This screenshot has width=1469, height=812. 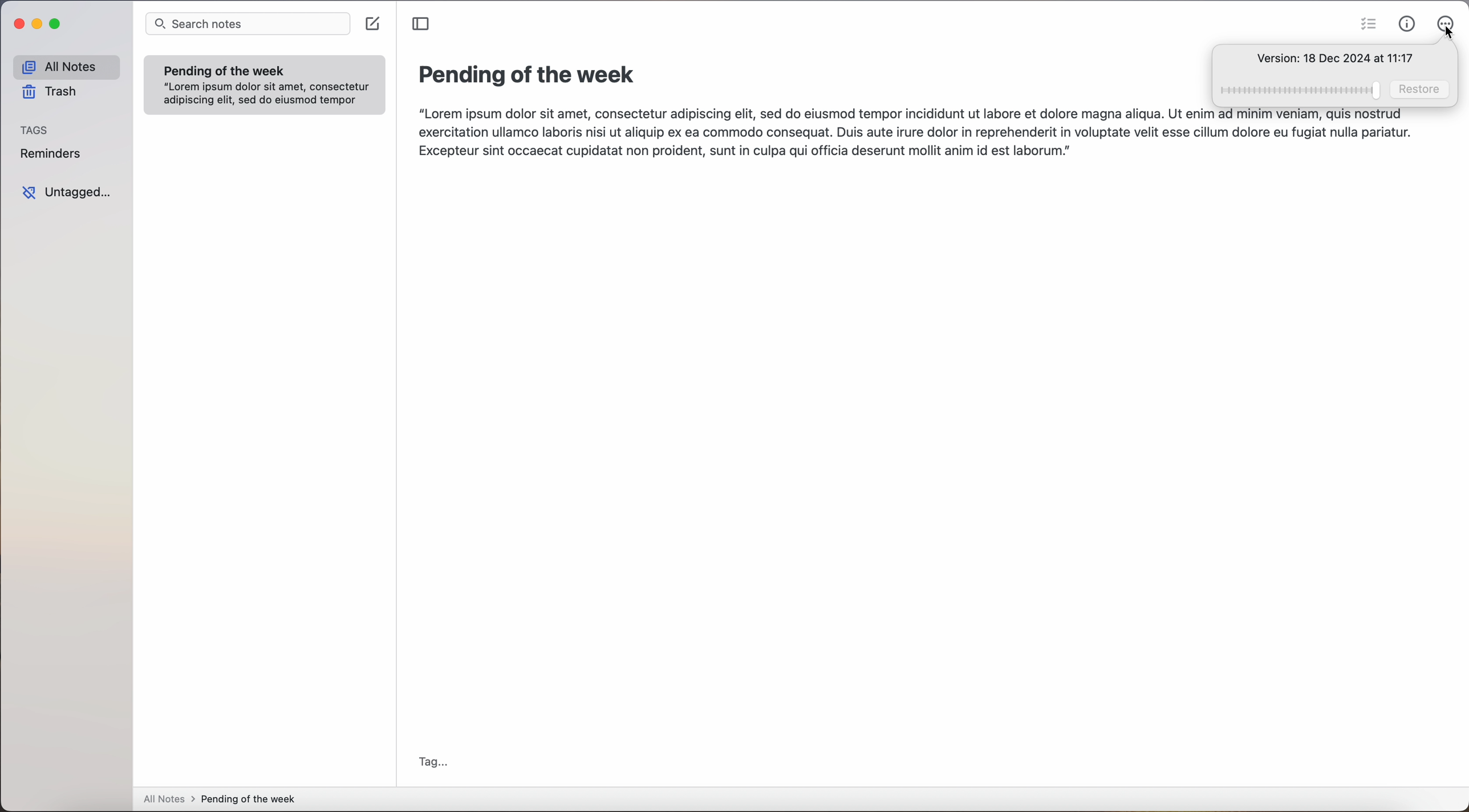 I want to click on untagged, so click(x=65, y=193).